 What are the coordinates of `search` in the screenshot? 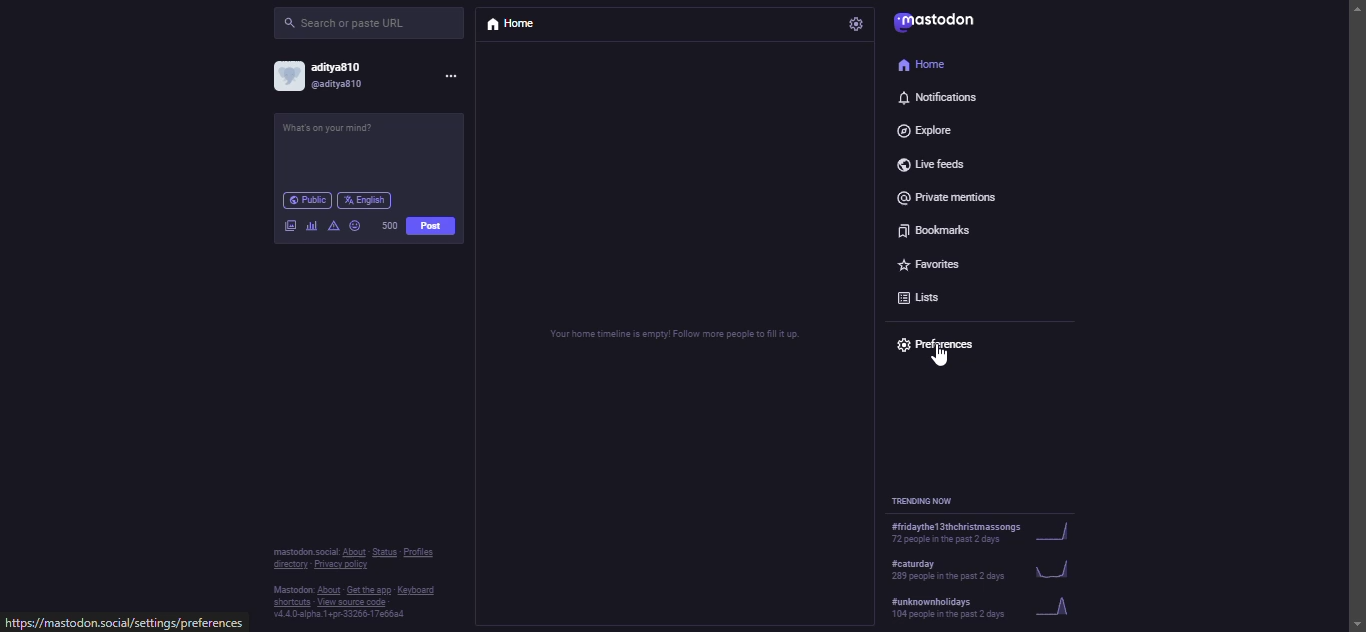 It's located at (349, 20).